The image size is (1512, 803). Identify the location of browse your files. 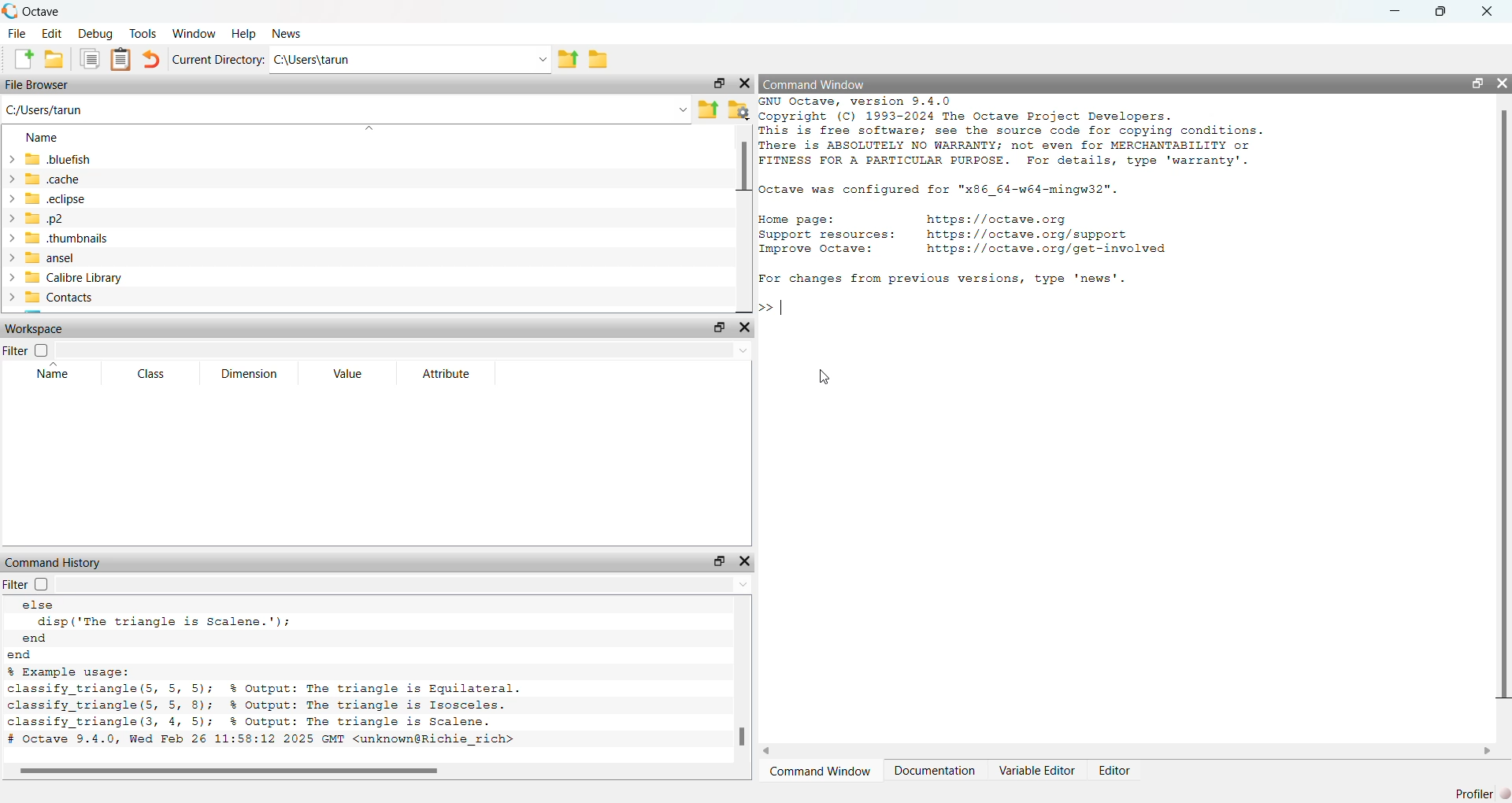
(739, 109).